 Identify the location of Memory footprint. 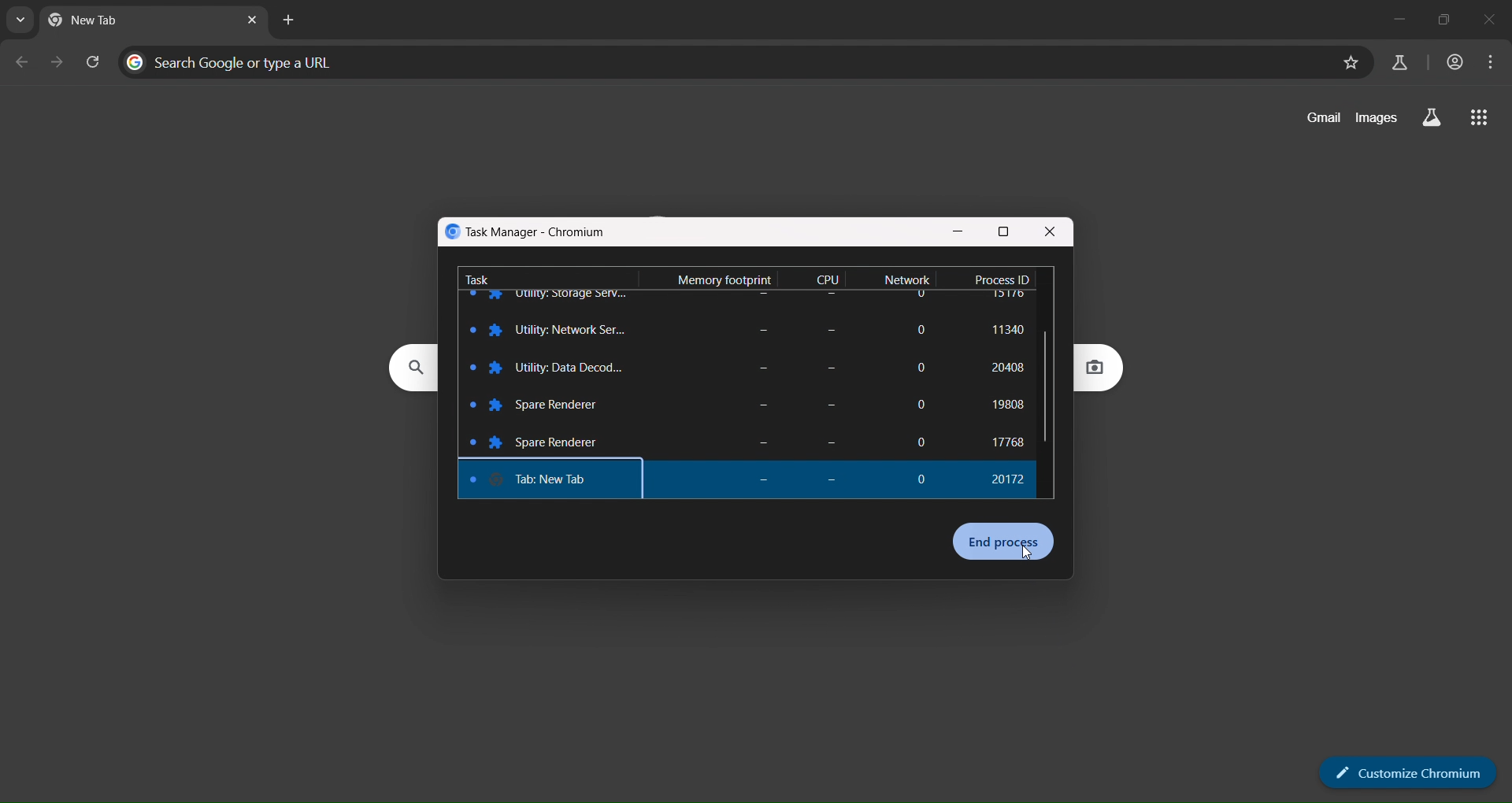
(719, 276).